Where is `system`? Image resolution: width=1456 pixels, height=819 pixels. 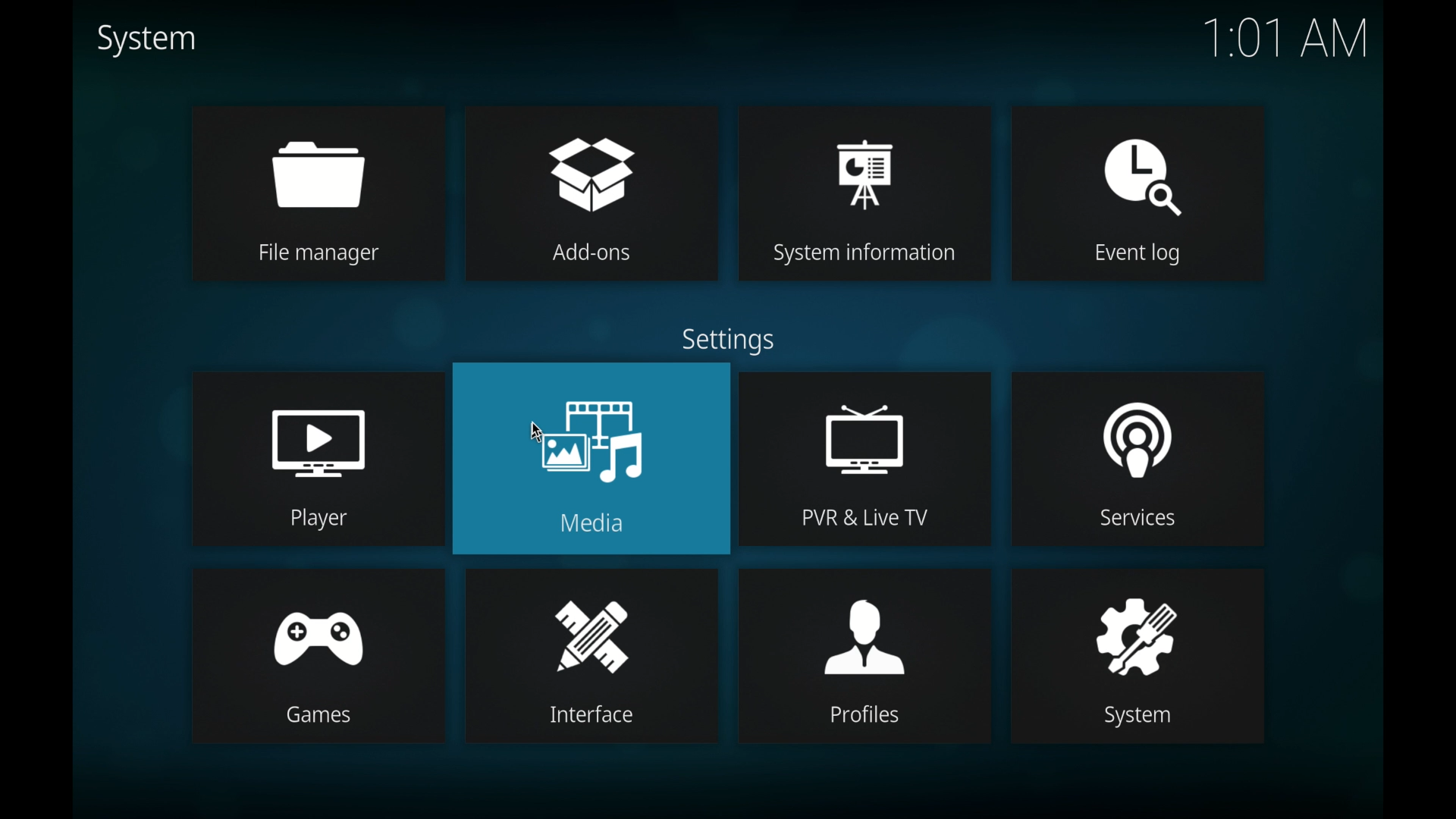 system is located at coordinates (1136, 626).